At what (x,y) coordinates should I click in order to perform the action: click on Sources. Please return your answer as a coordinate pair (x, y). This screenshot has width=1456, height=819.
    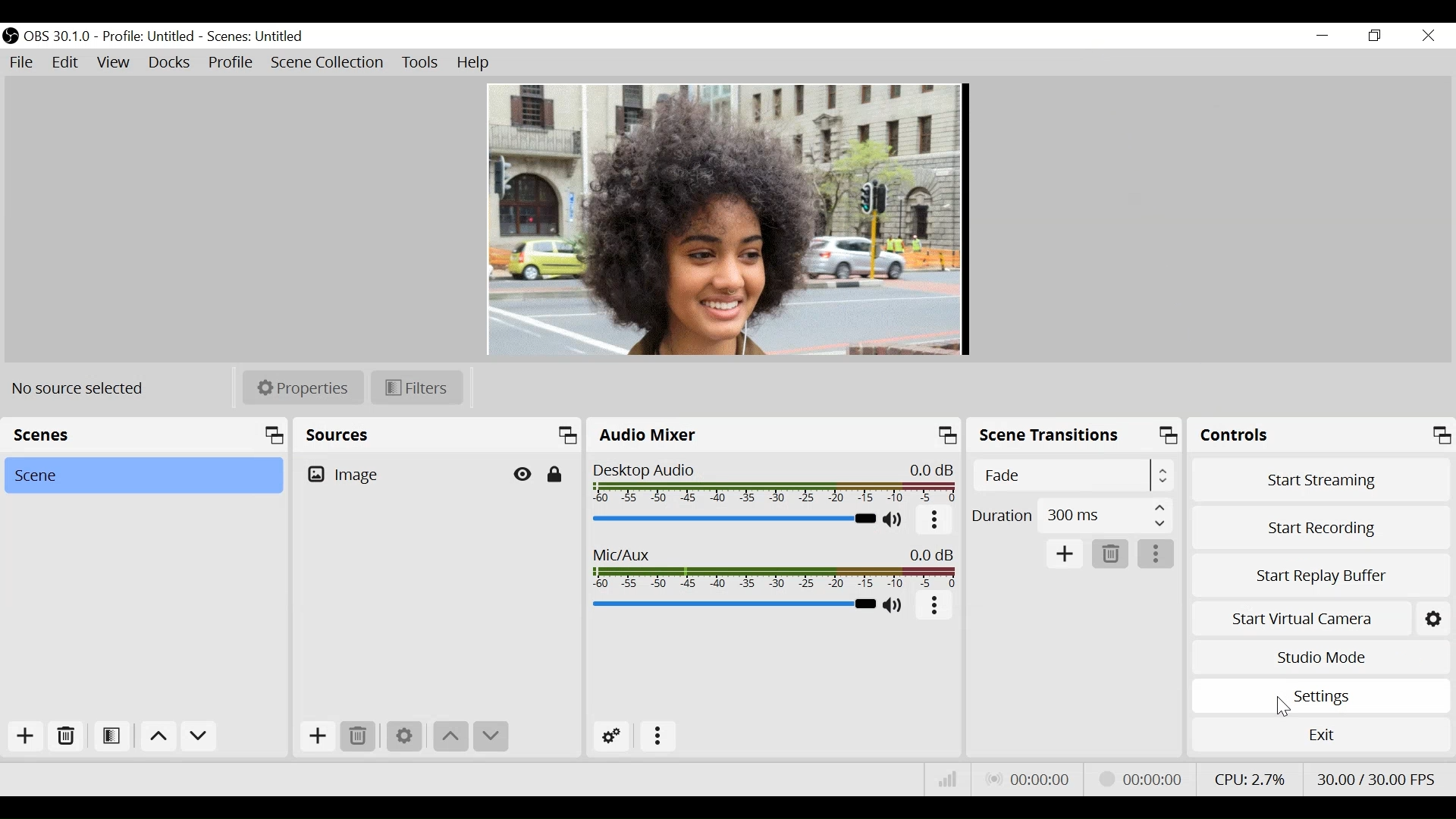
    Looking at the image, I should click on (438, 437).